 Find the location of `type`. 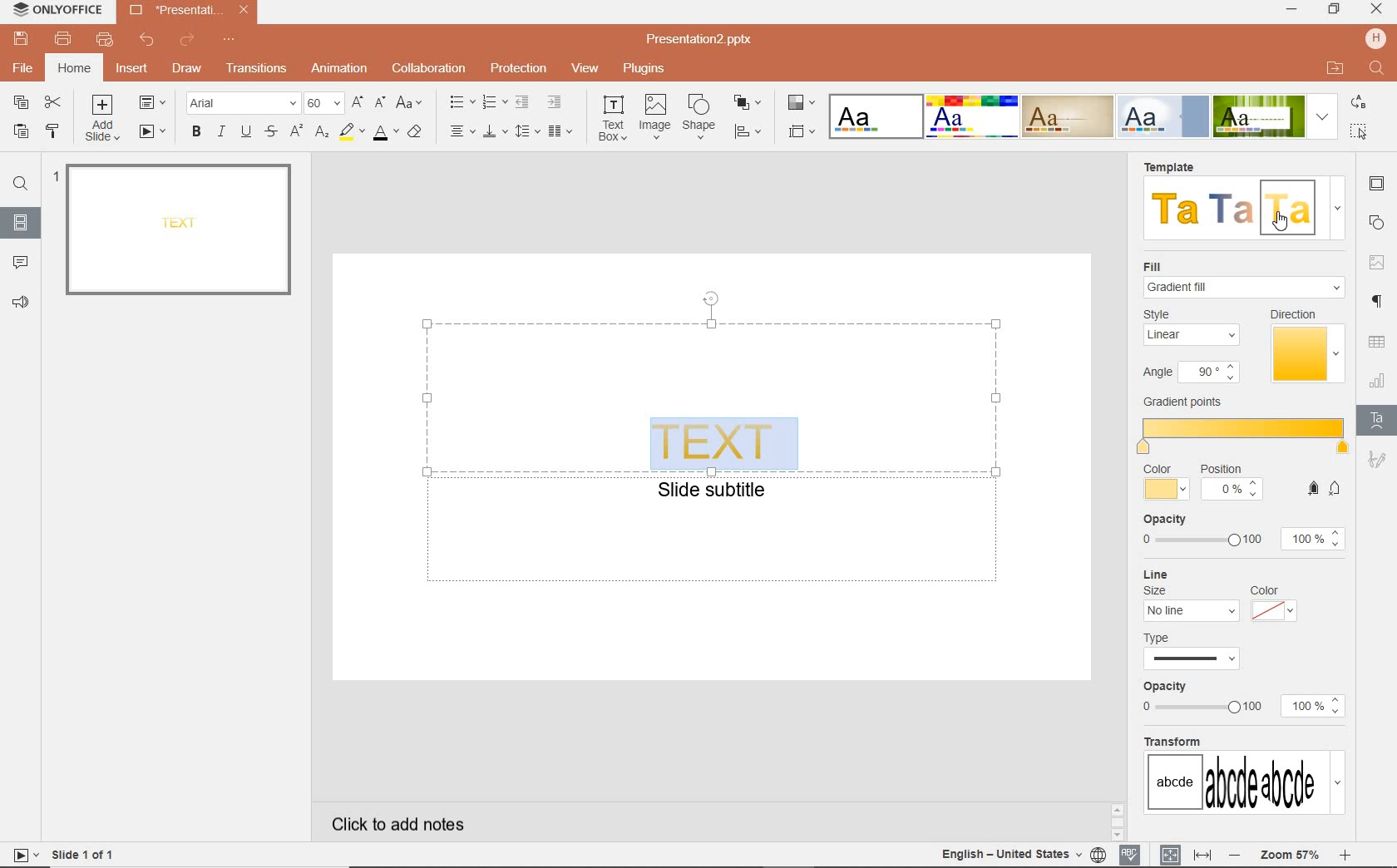

type is located at coordinates (1197, 653).